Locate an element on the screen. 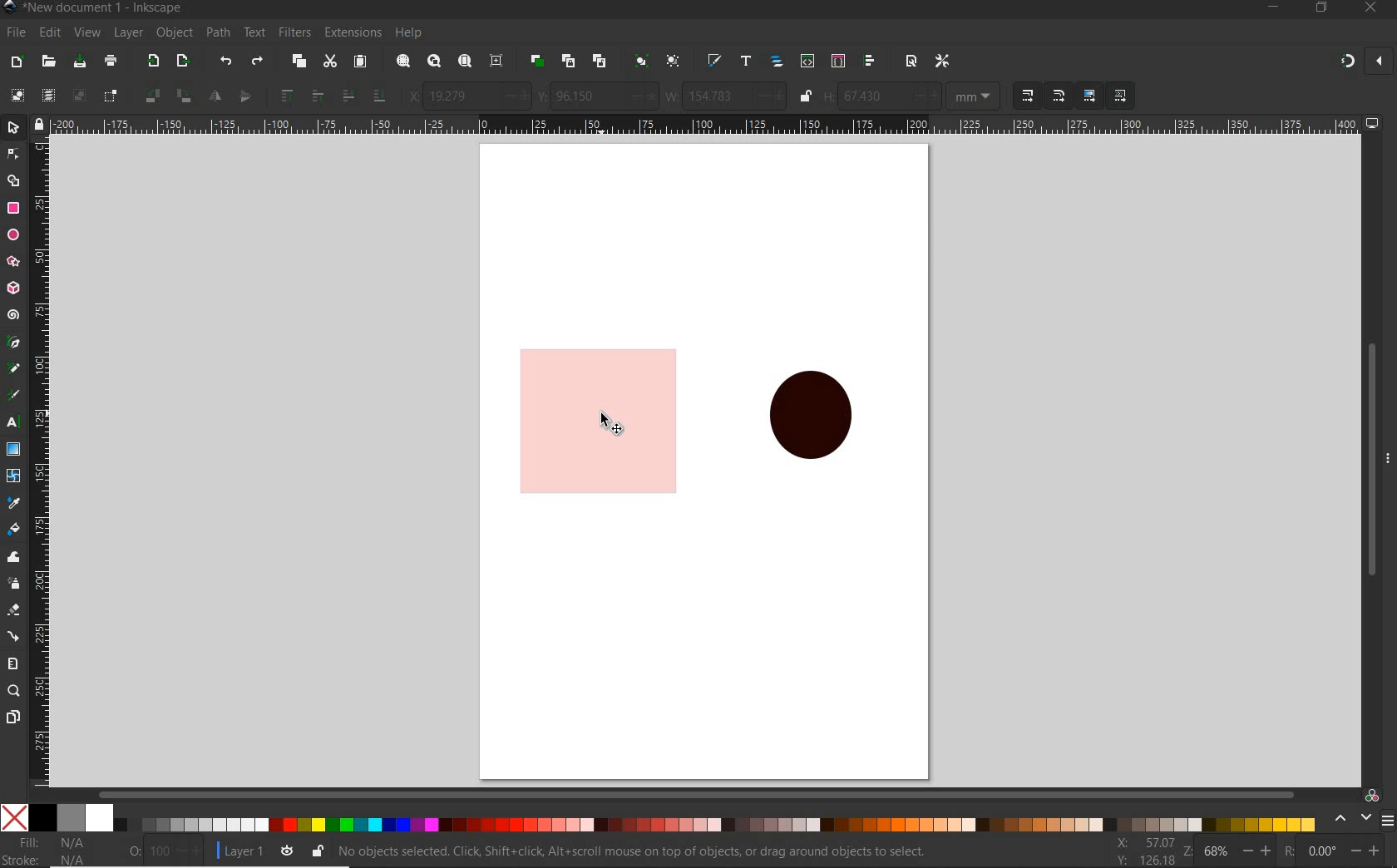 Image resolution: width=1397 pixels, height=868 pixels. raise to top is located at coordinates (289, 94).